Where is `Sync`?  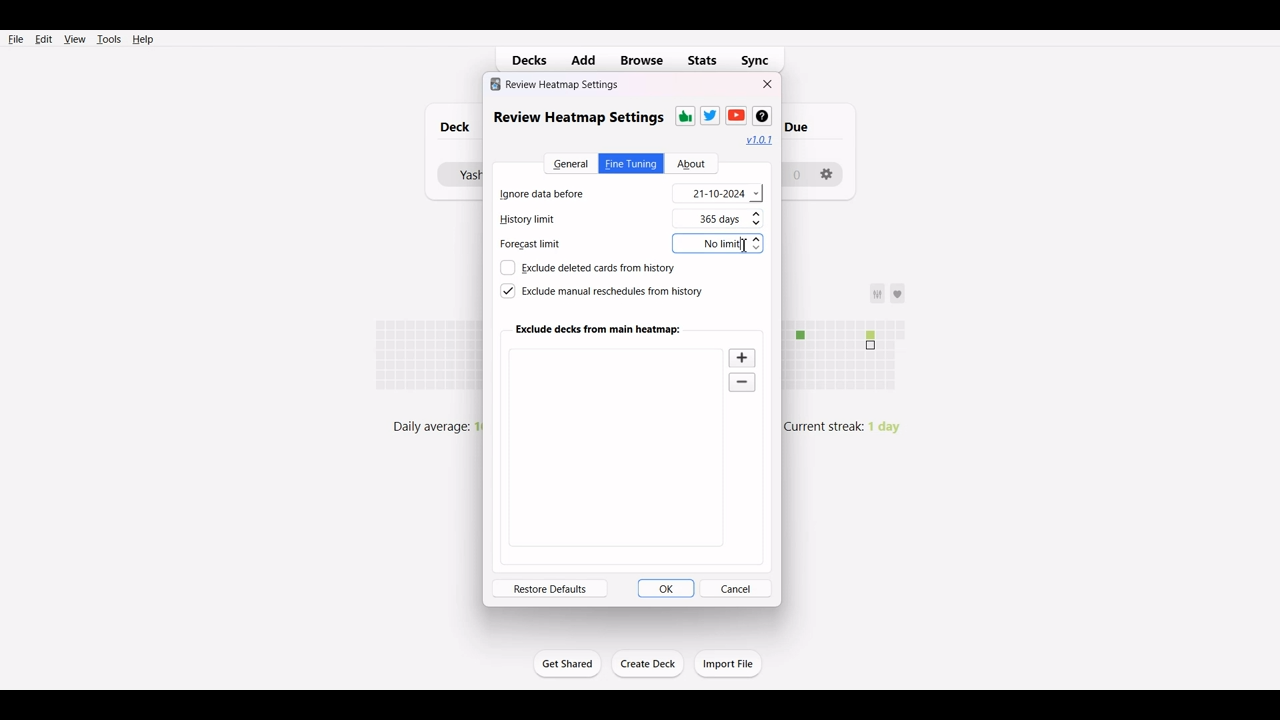
Sync is located at coordinates (762, 58).